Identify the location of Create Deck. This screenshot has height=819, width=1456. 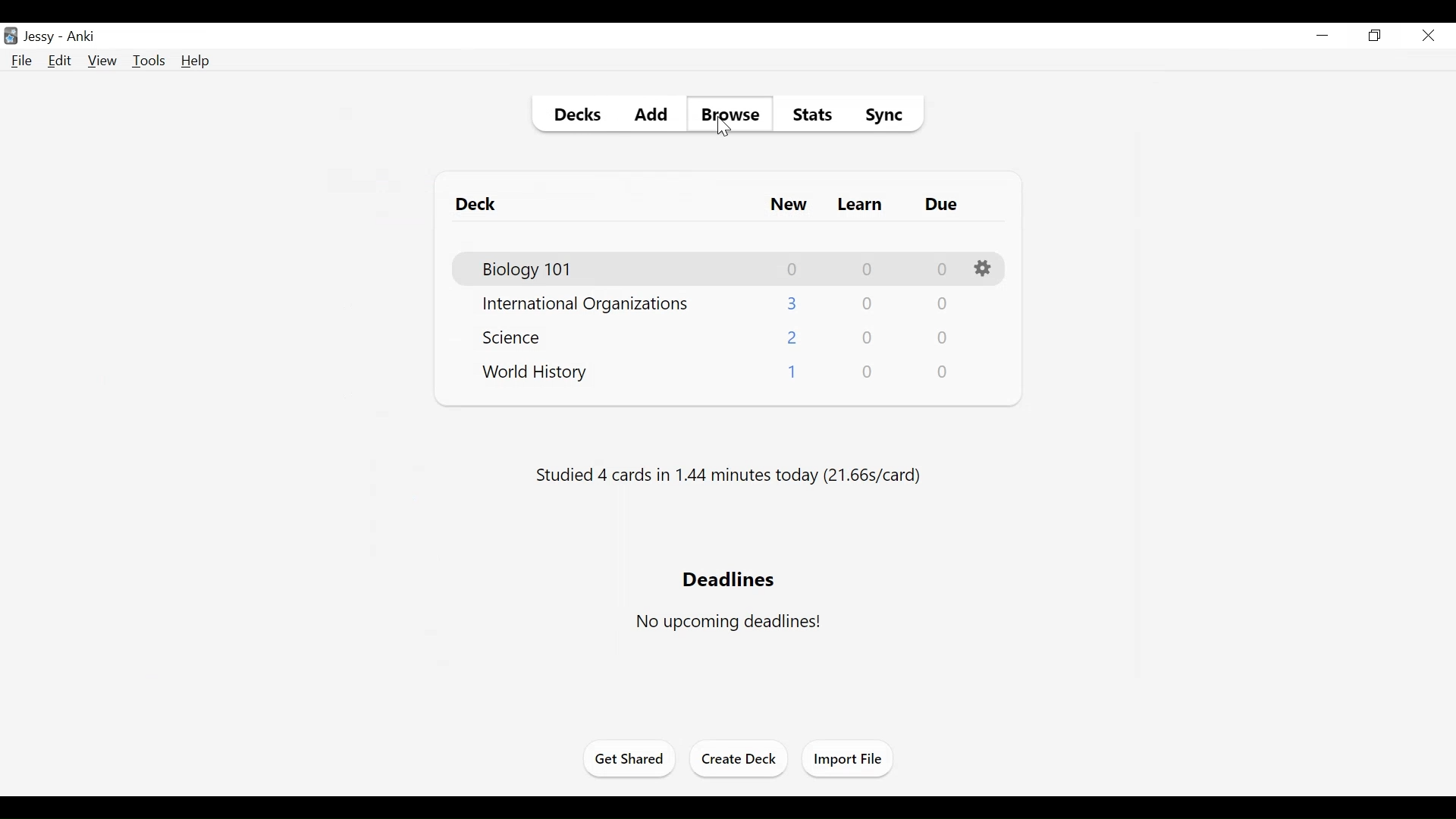
(741, 758).